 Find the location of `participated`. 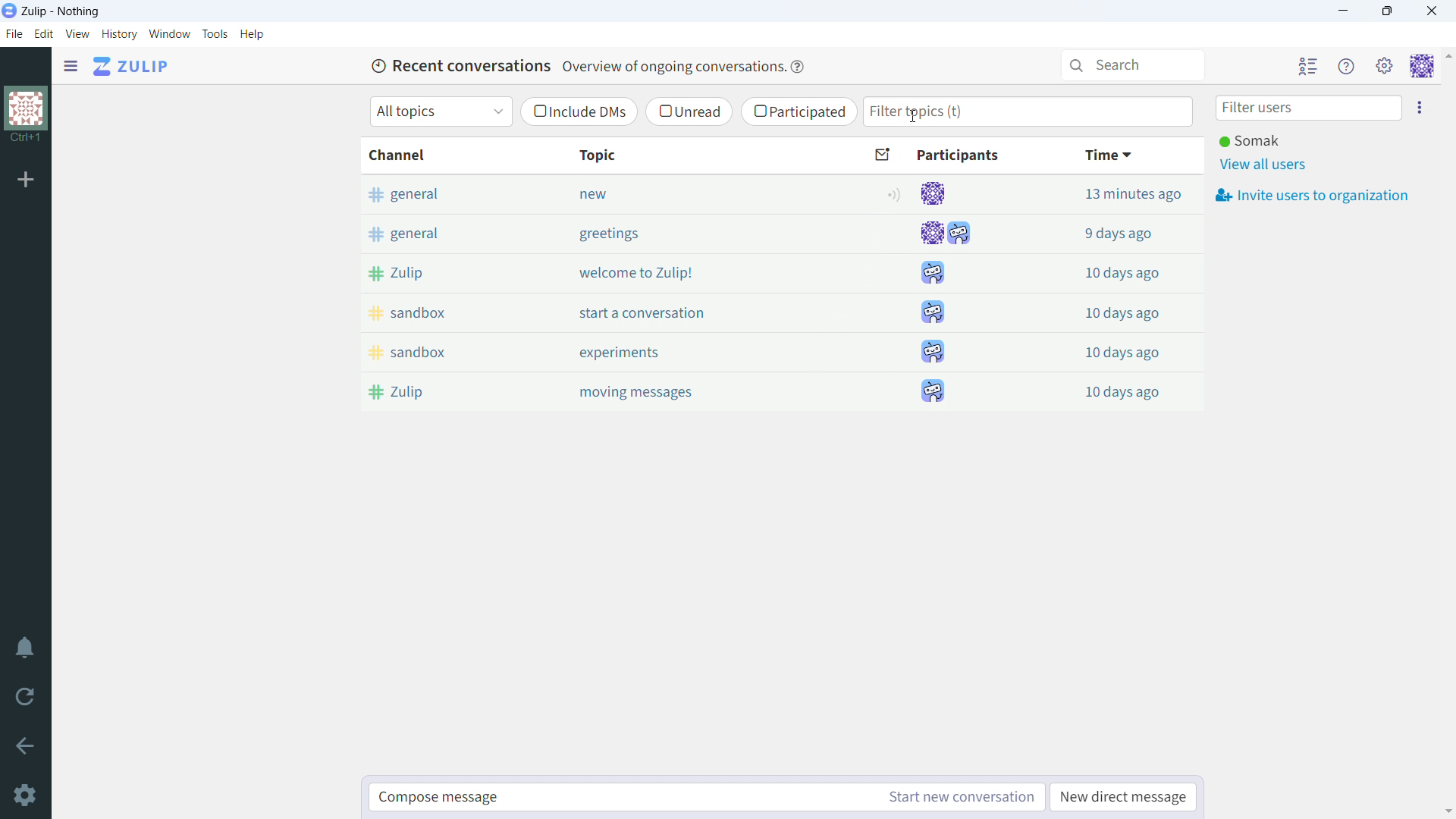

participated is located at coordinates (799, 111).